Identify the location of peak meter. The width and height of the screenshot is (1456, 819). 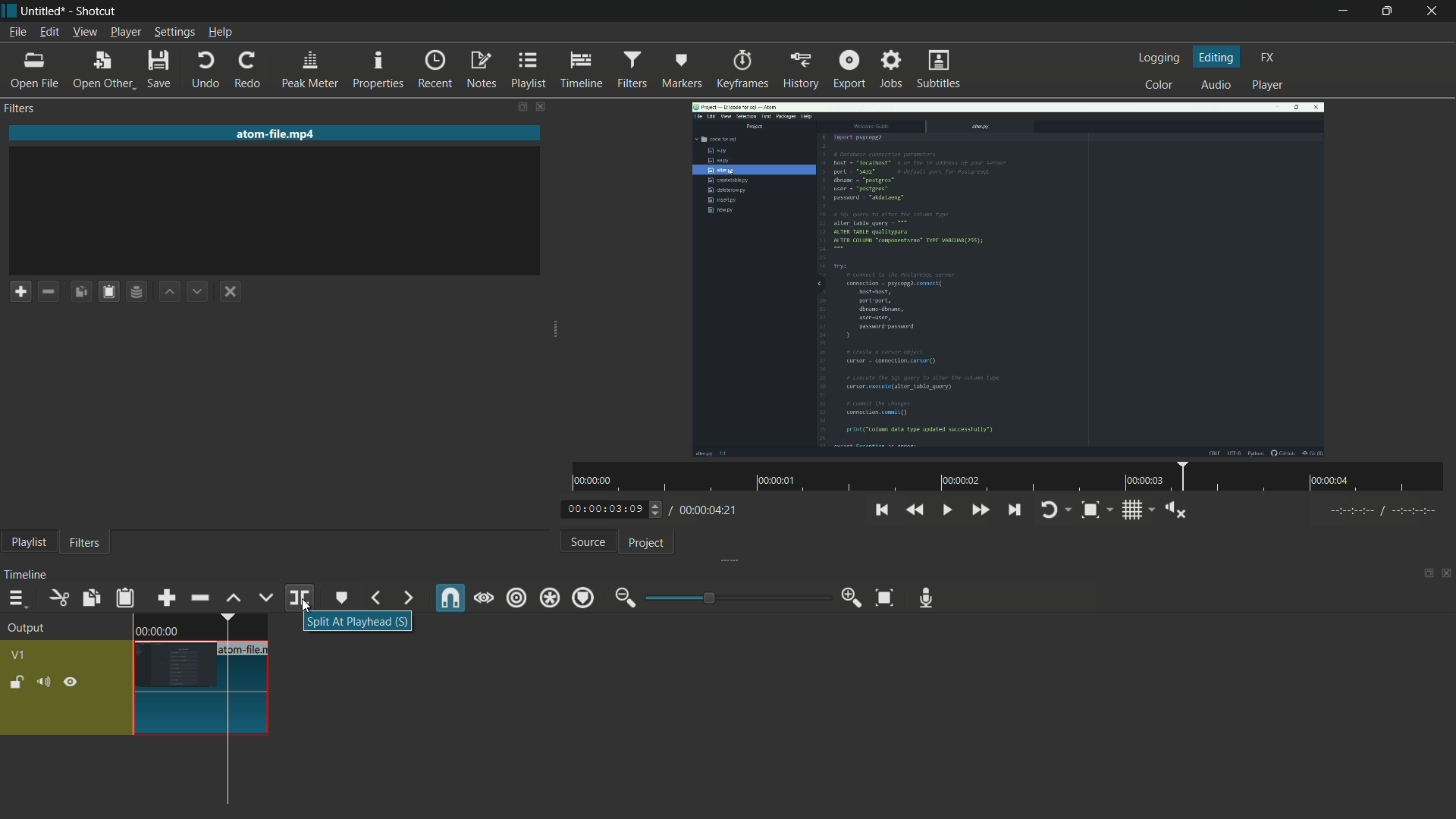
(310, 71).